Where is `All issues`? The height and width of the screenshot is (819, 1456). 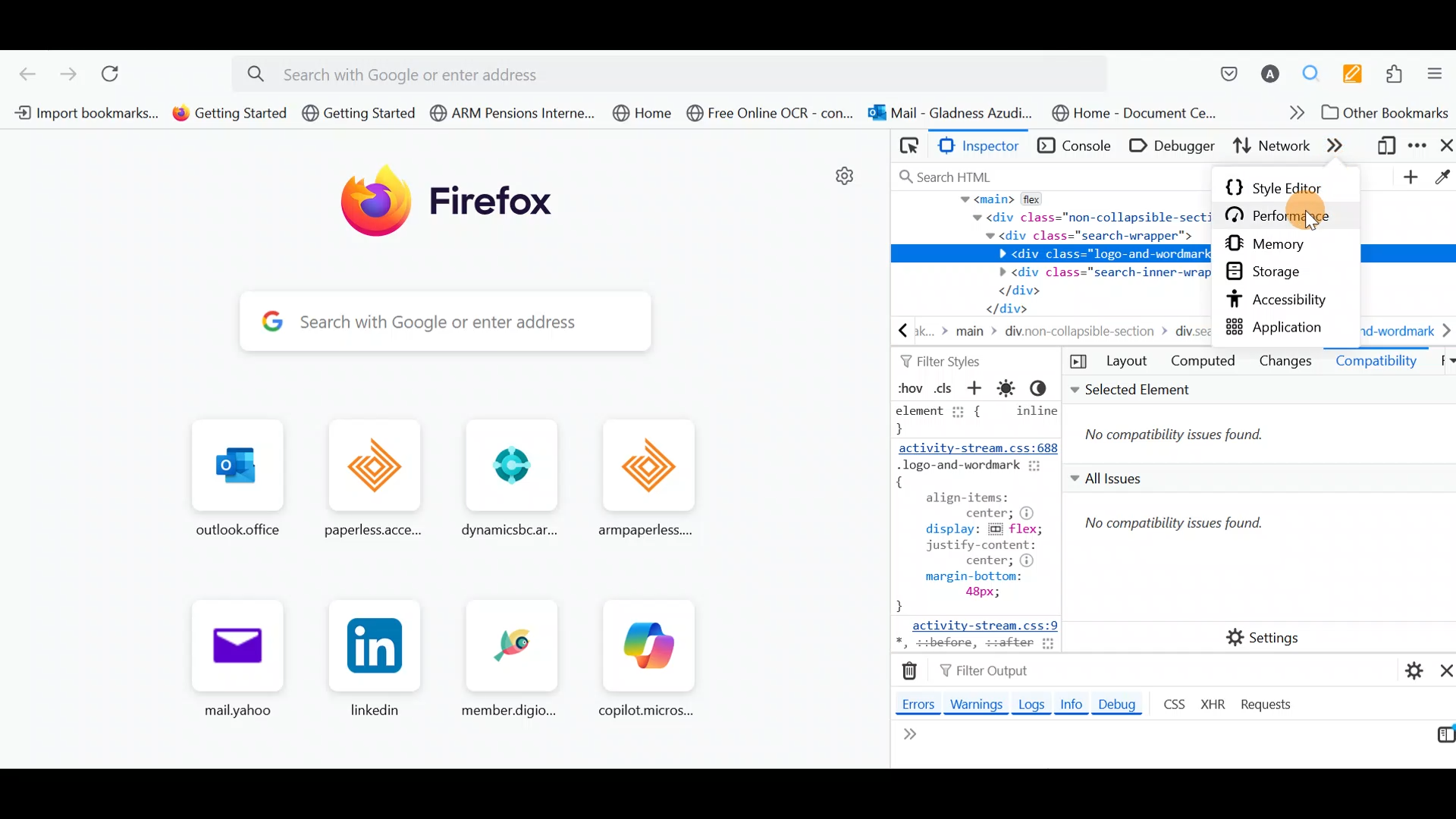
All issues is located at coordinates (1246, 533).